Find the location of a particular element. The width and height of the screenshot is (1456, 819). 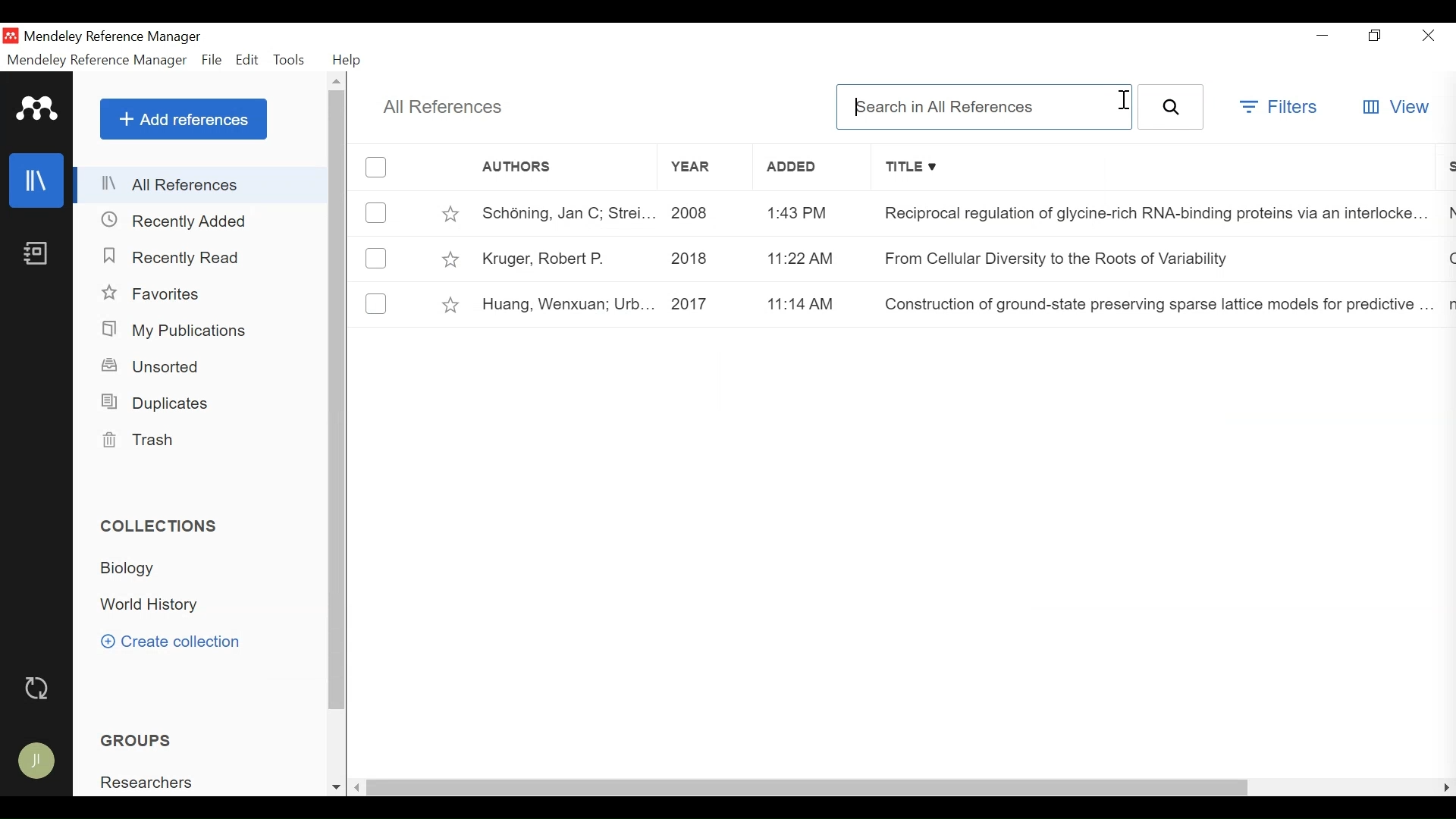

11:22 AM is located at coordinates (815, 257).